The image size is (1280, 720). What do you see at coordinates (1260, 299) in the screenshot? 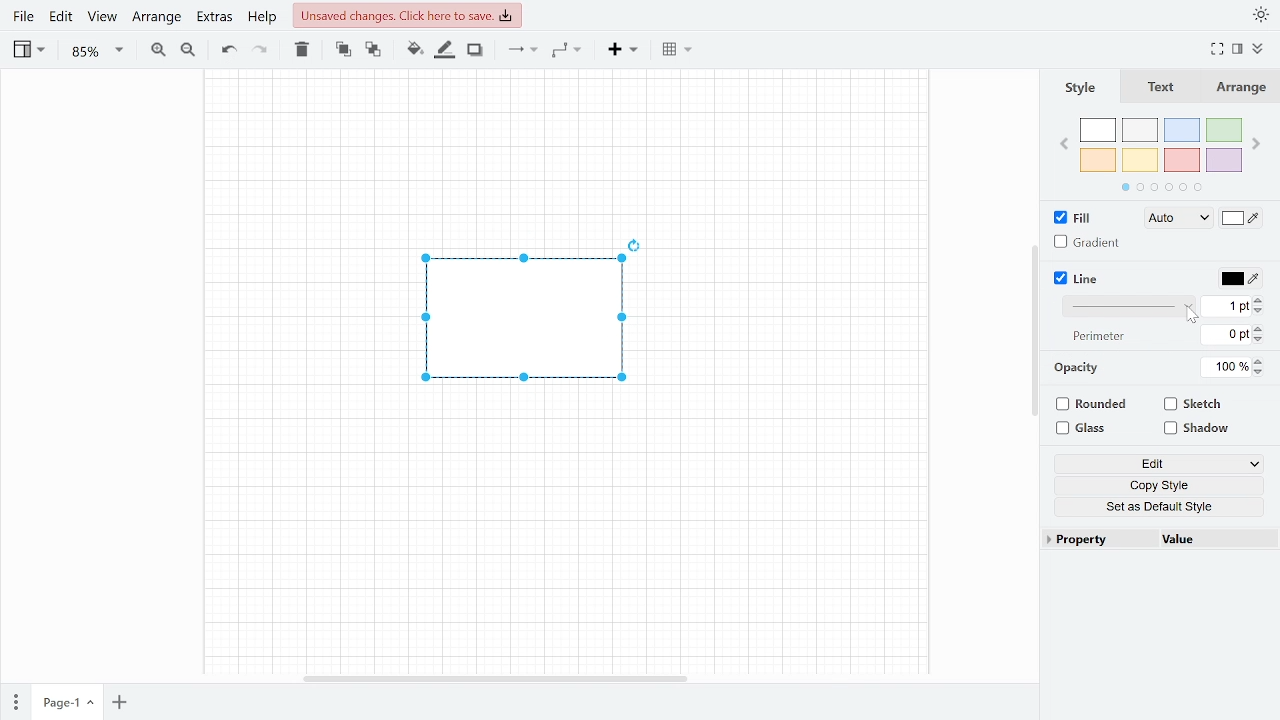
I see `Increase linewidth` at bounding box center [1260, 299].